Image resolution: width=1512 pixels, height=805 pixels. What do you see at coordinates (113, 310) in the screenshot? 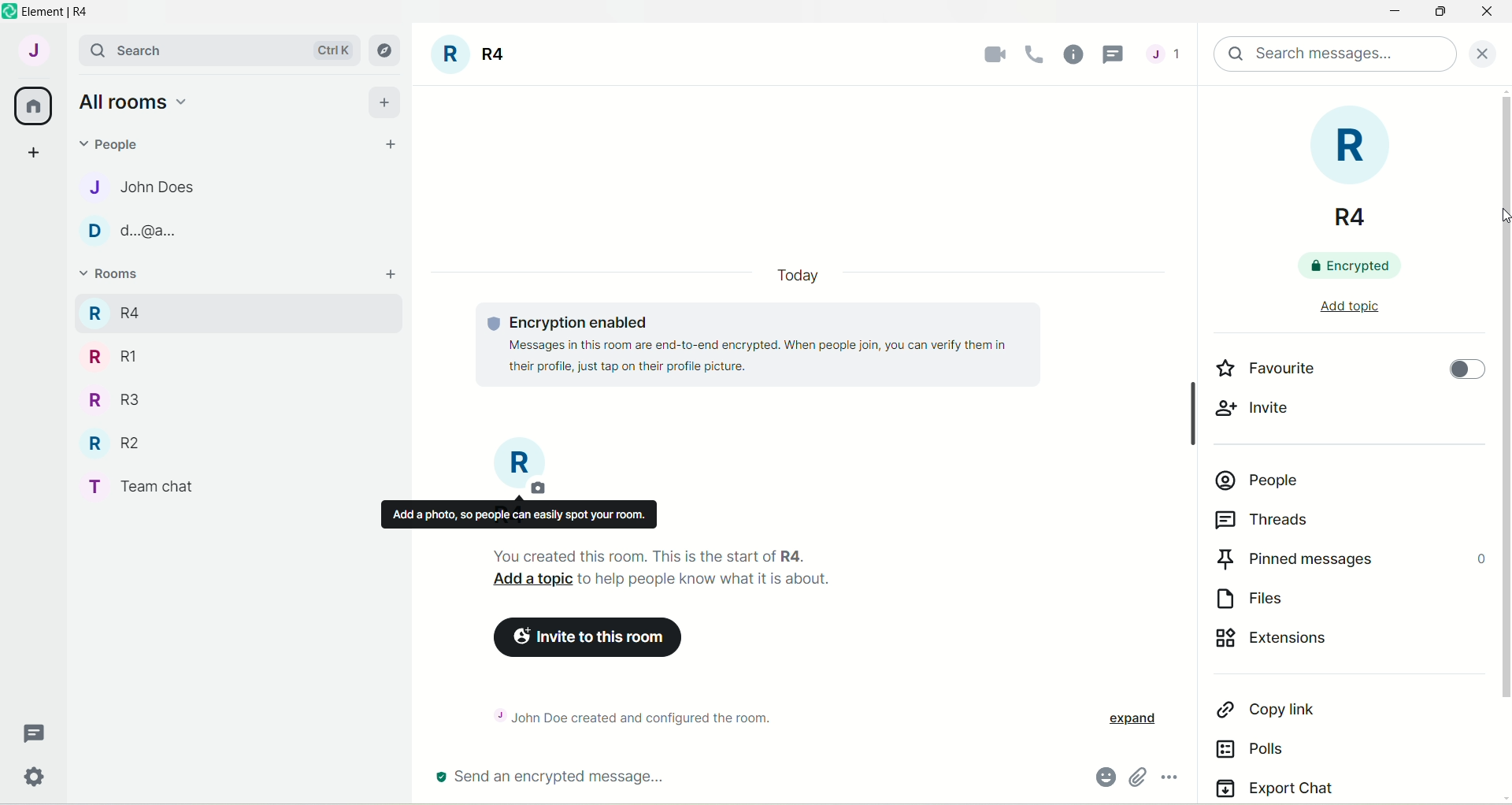
I see `R R4` at bounding box center [113, 310].